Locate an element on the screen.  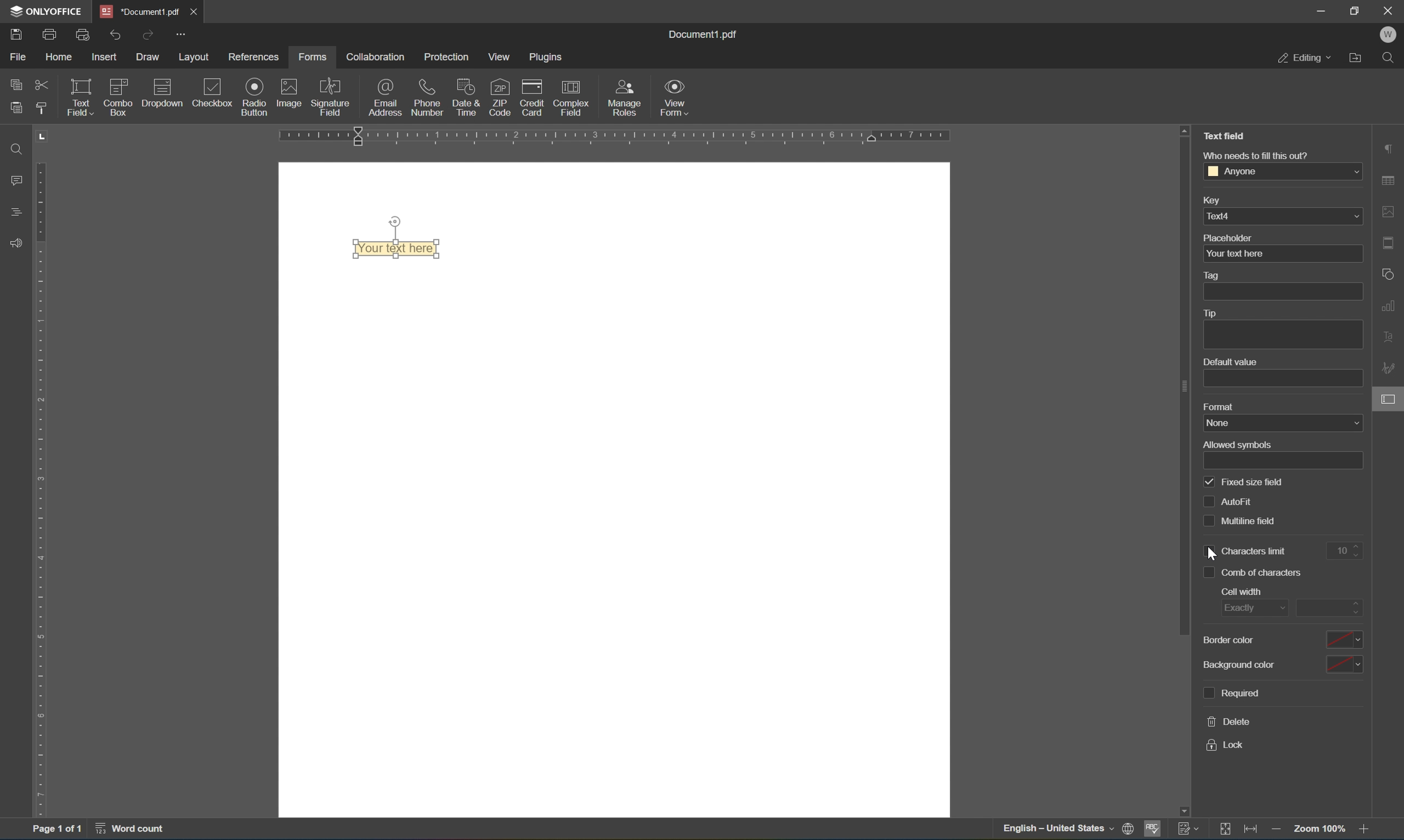
manage roles is located at coordinates (628, 98).